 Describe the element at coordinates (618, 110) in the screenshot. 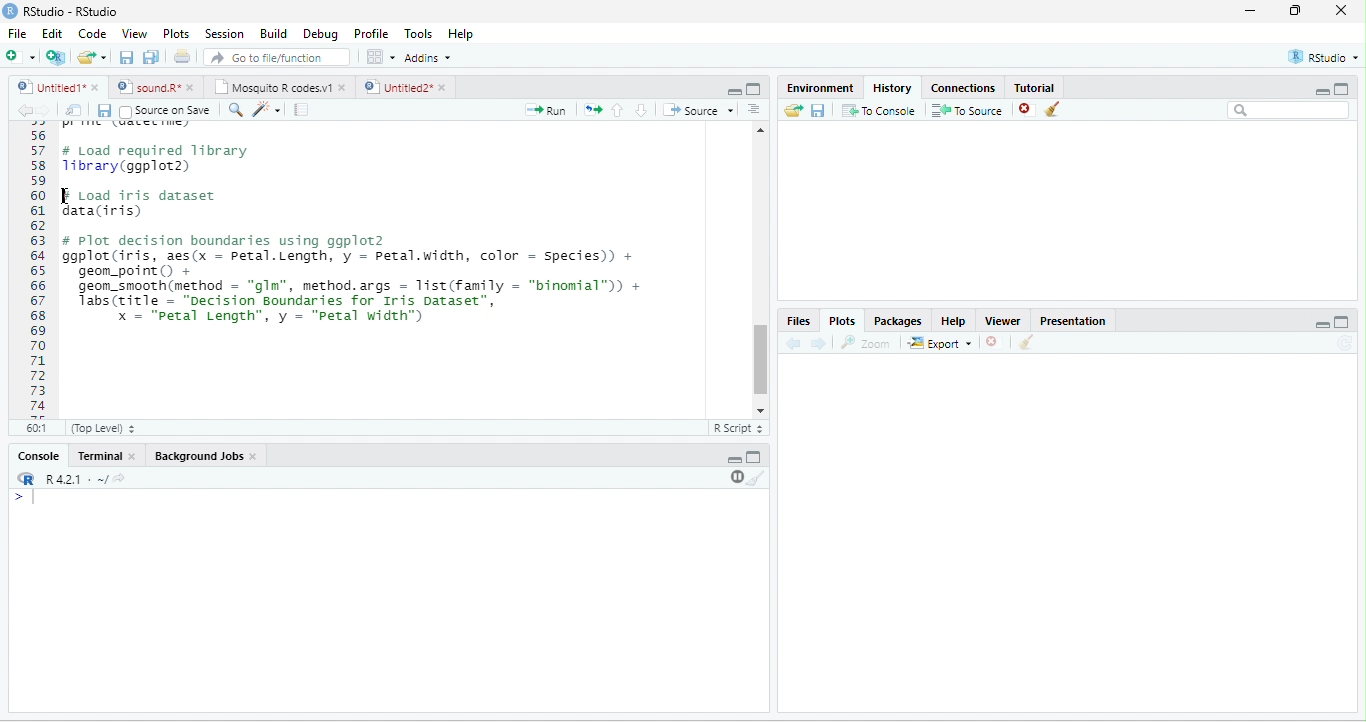

I see `up` at that location.